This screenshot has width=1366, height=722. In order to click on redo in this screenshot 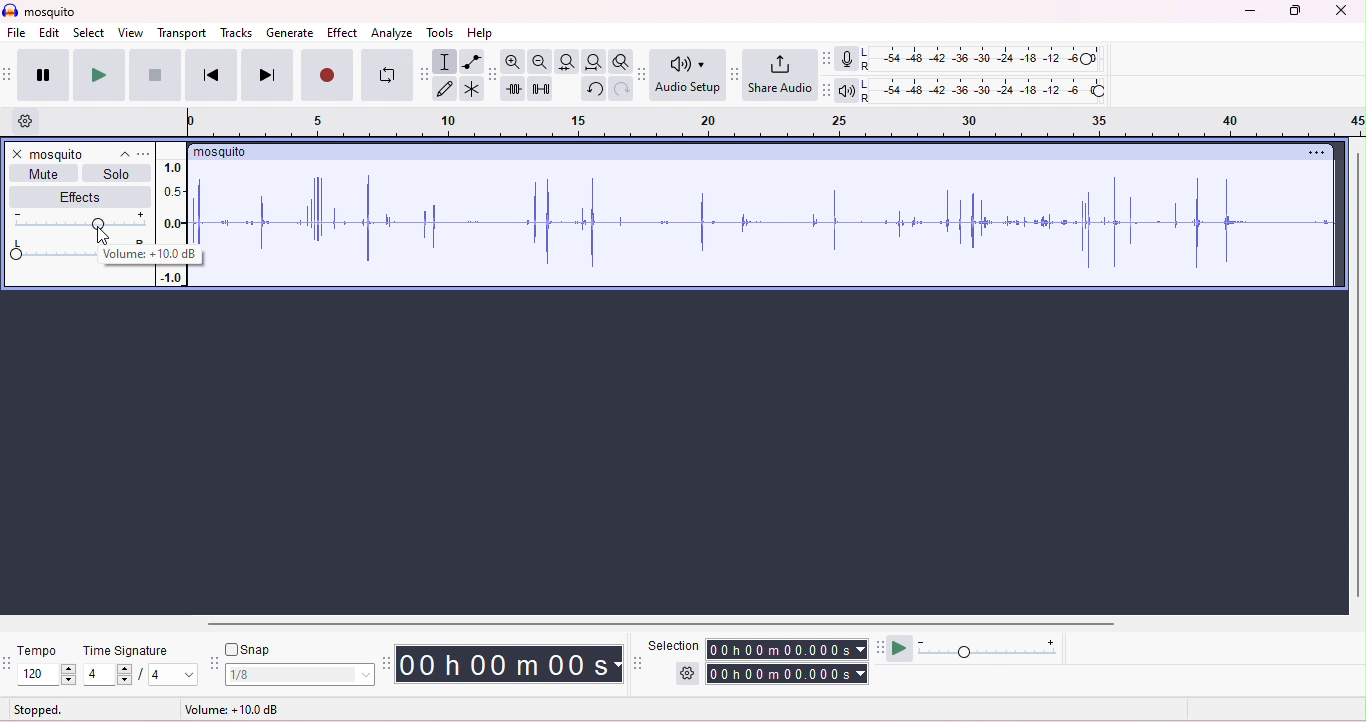, I will do `click(622, 90)`.